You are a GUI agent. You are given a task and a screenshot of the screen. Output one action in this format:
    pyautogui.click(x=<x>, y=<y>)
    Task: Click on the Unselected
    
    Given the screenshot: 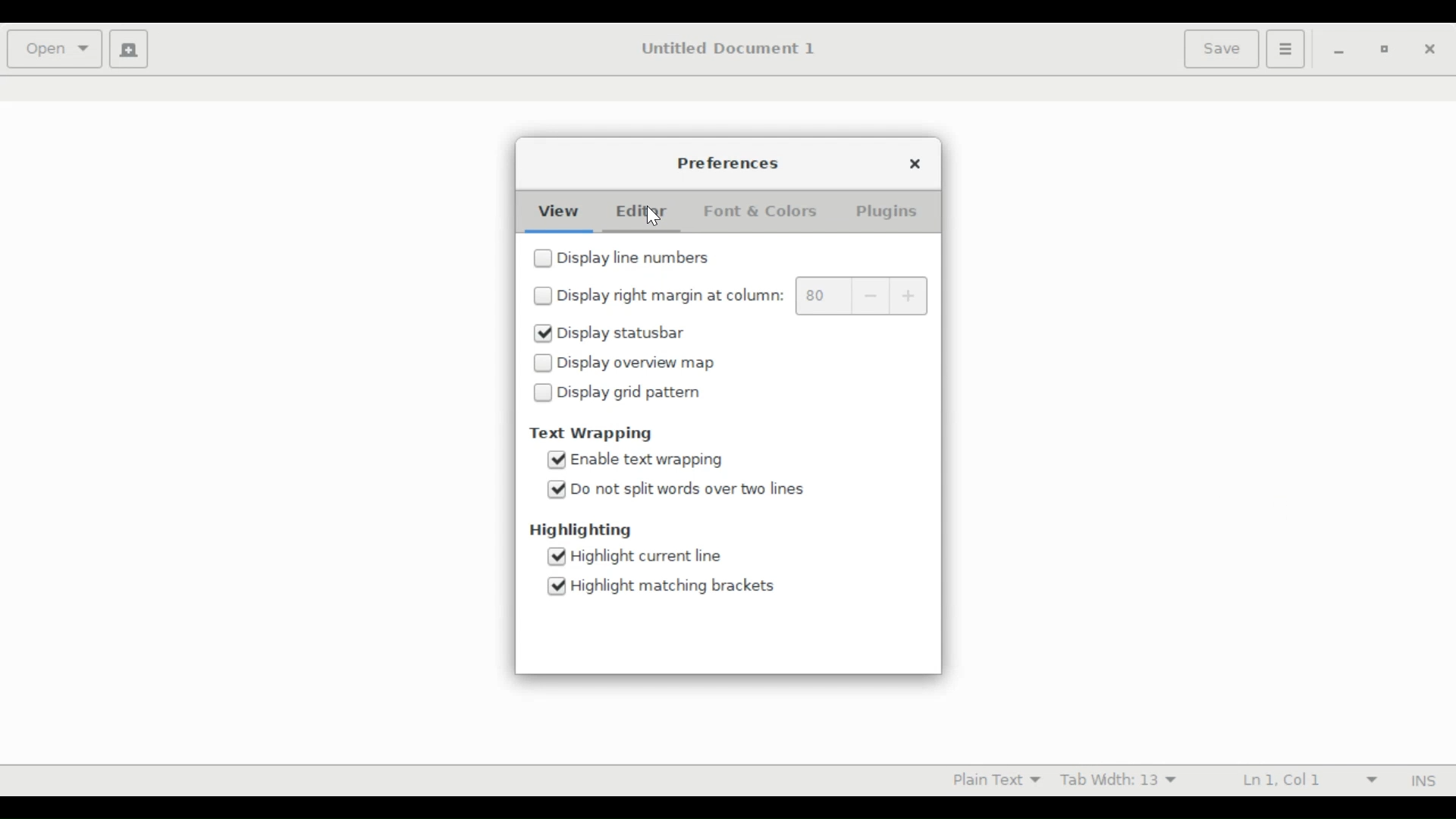 What is the action you would take?
    pyautogui.click(x=542, y=295)
    